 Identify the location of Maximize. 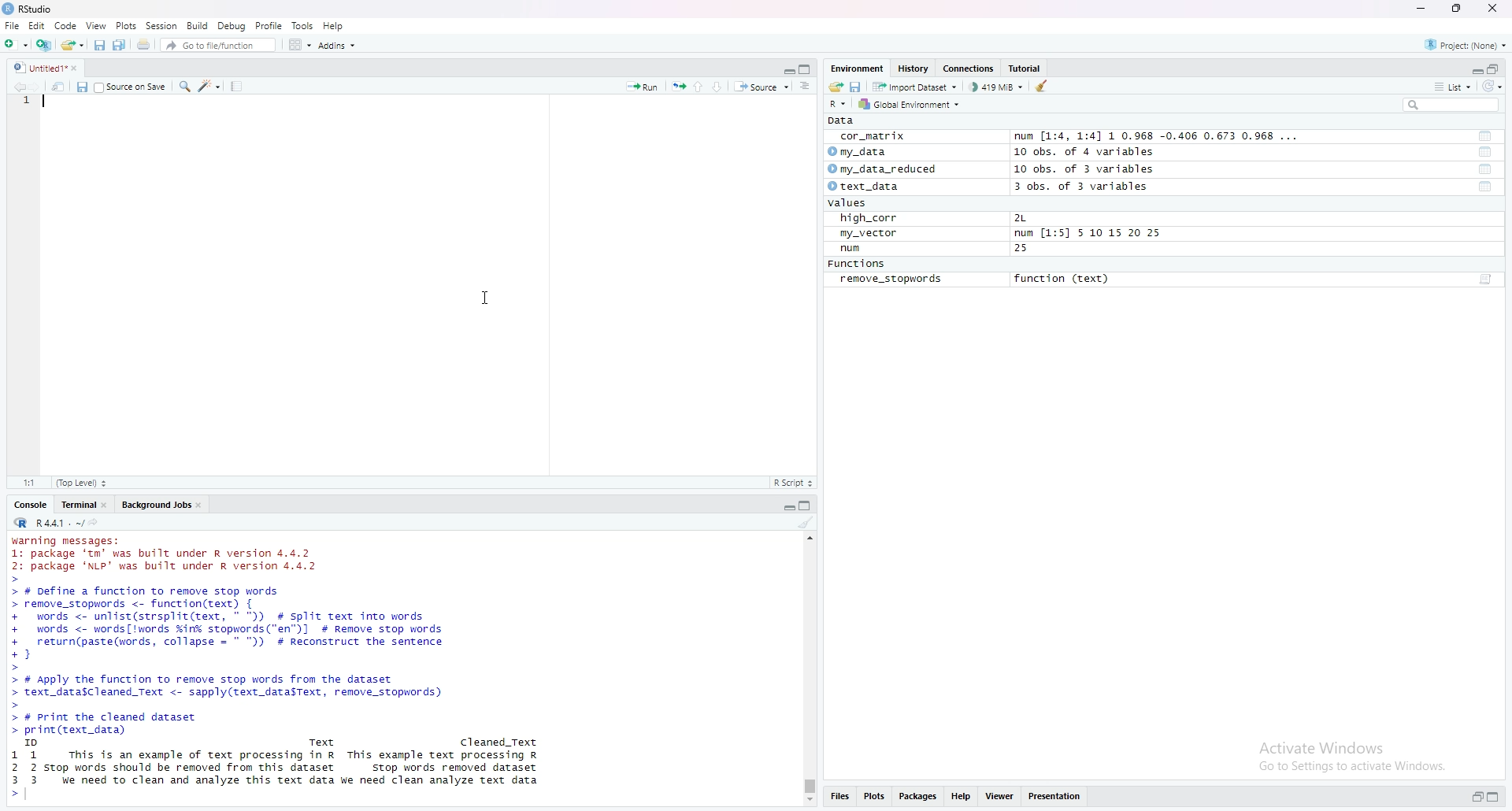
(804, 506).